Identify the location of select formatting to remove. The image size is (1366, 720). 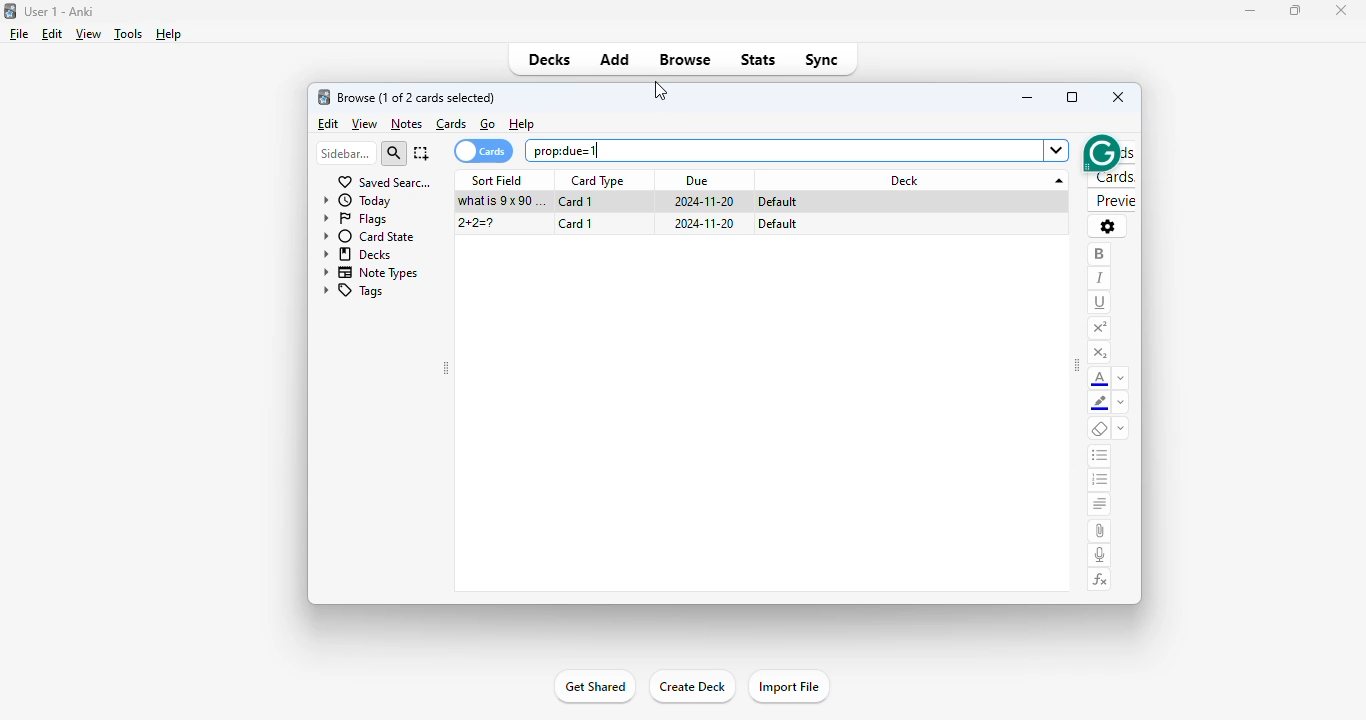
(1121, 429).